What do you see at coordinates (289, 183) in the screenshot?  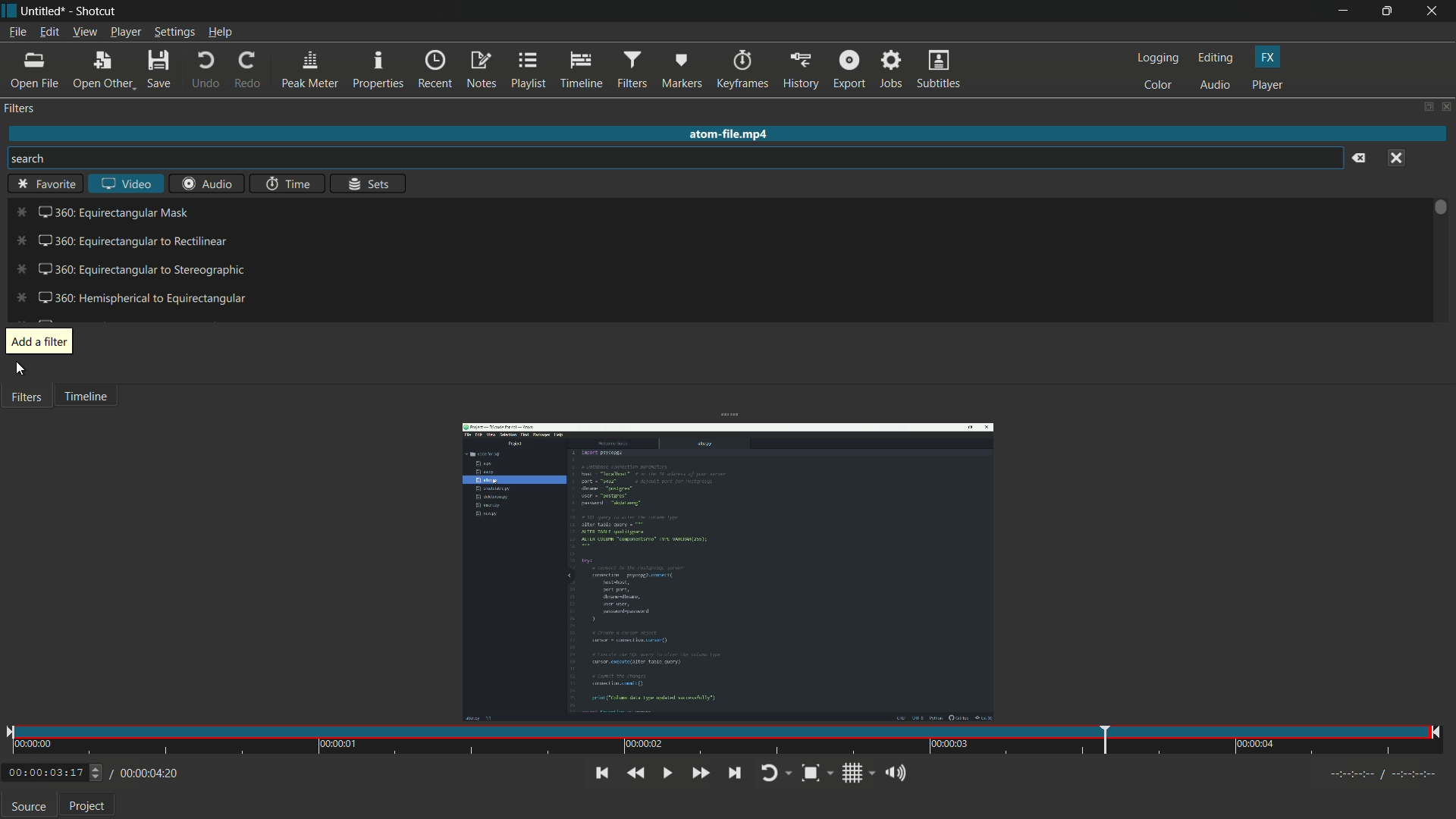 I see `time` at bounding box center [289, 183].